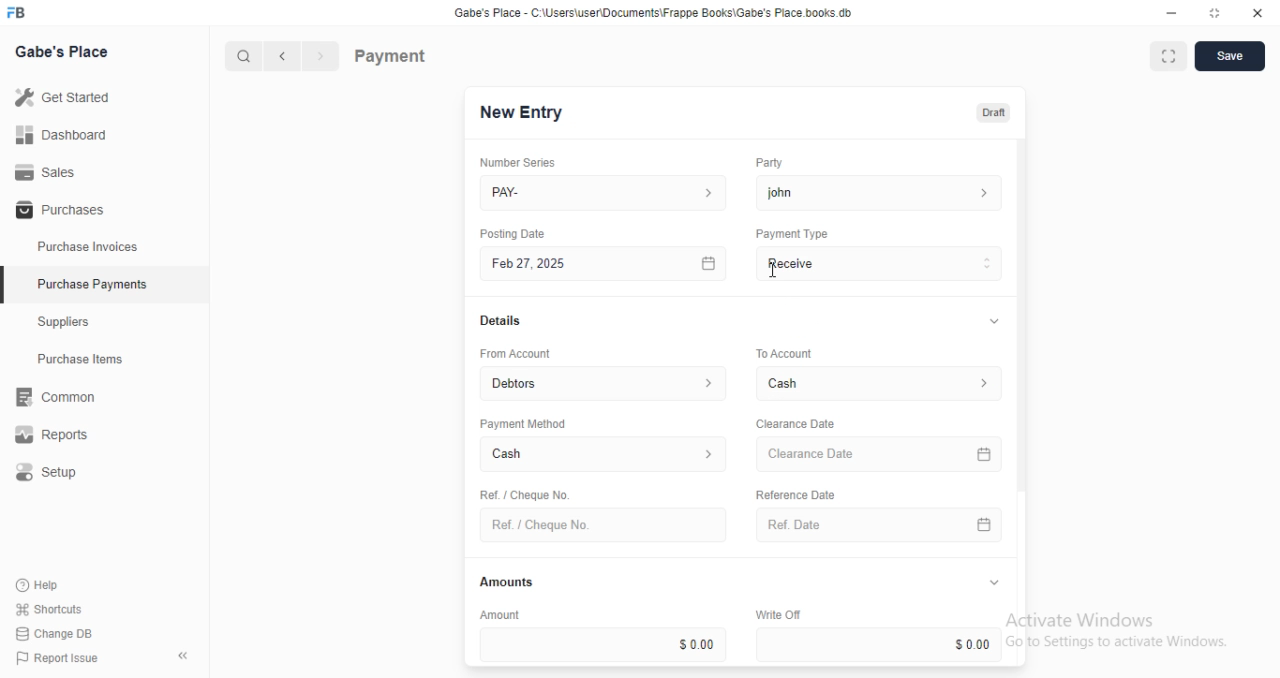  What do you see at coordinates (40, 586) in the screenshot?
I see `Help` at bounding box center [40, 586].